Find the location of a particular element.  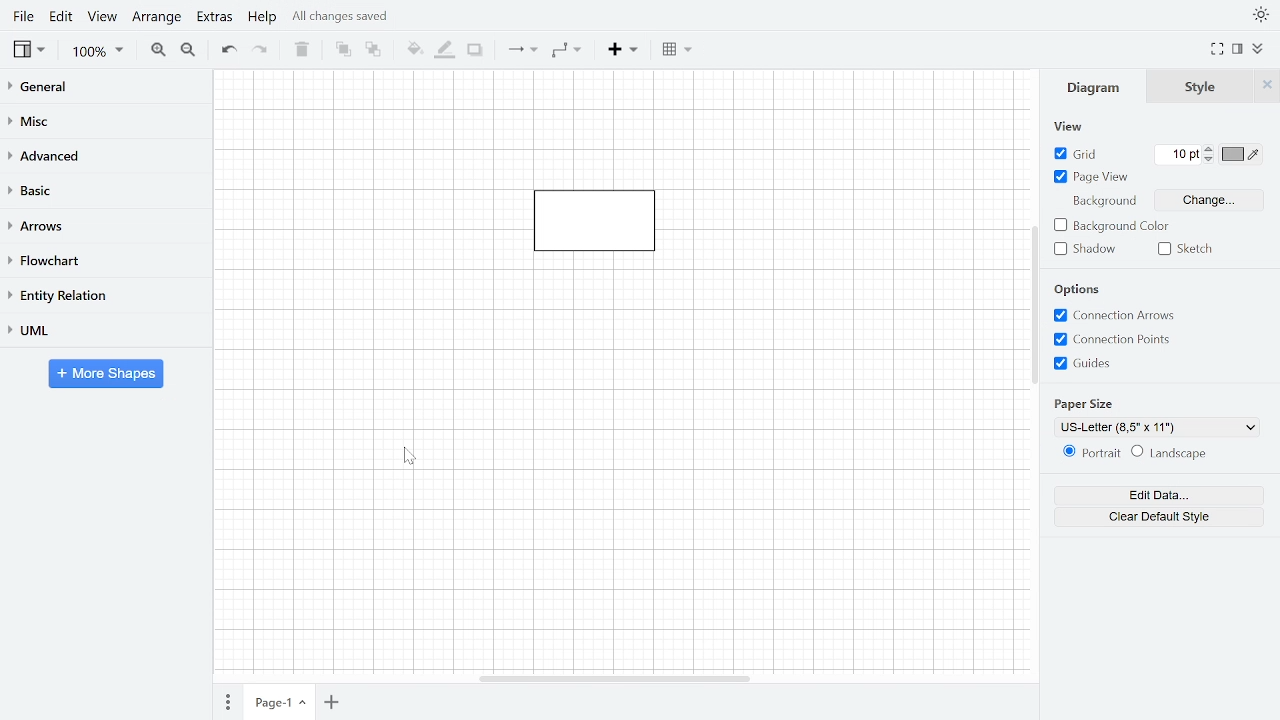

Vertical scrollbar is located at coordinates (1037, 306).